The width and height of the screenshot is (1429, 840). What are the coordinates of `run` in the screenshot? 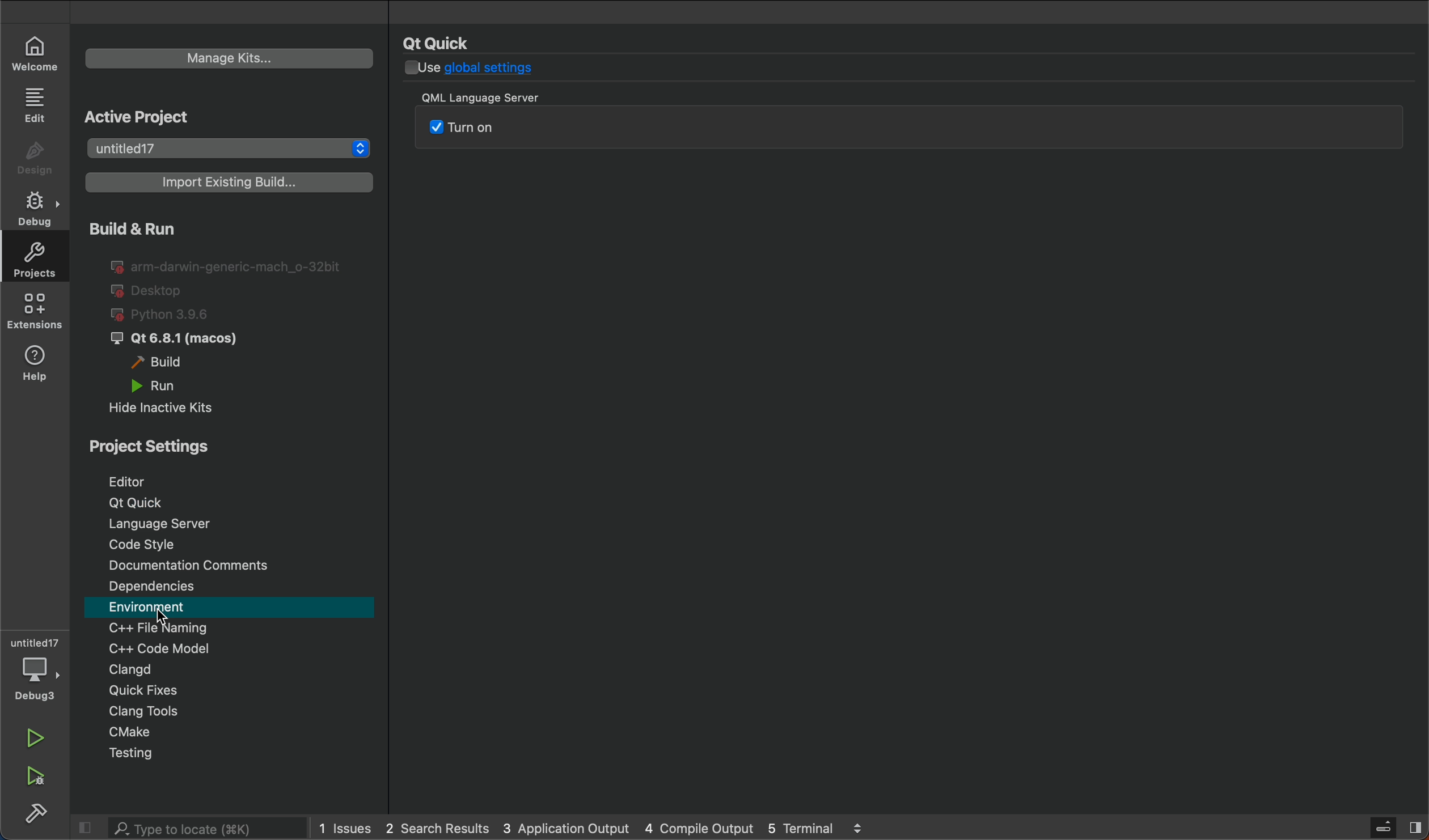 It's located at (43, 741).